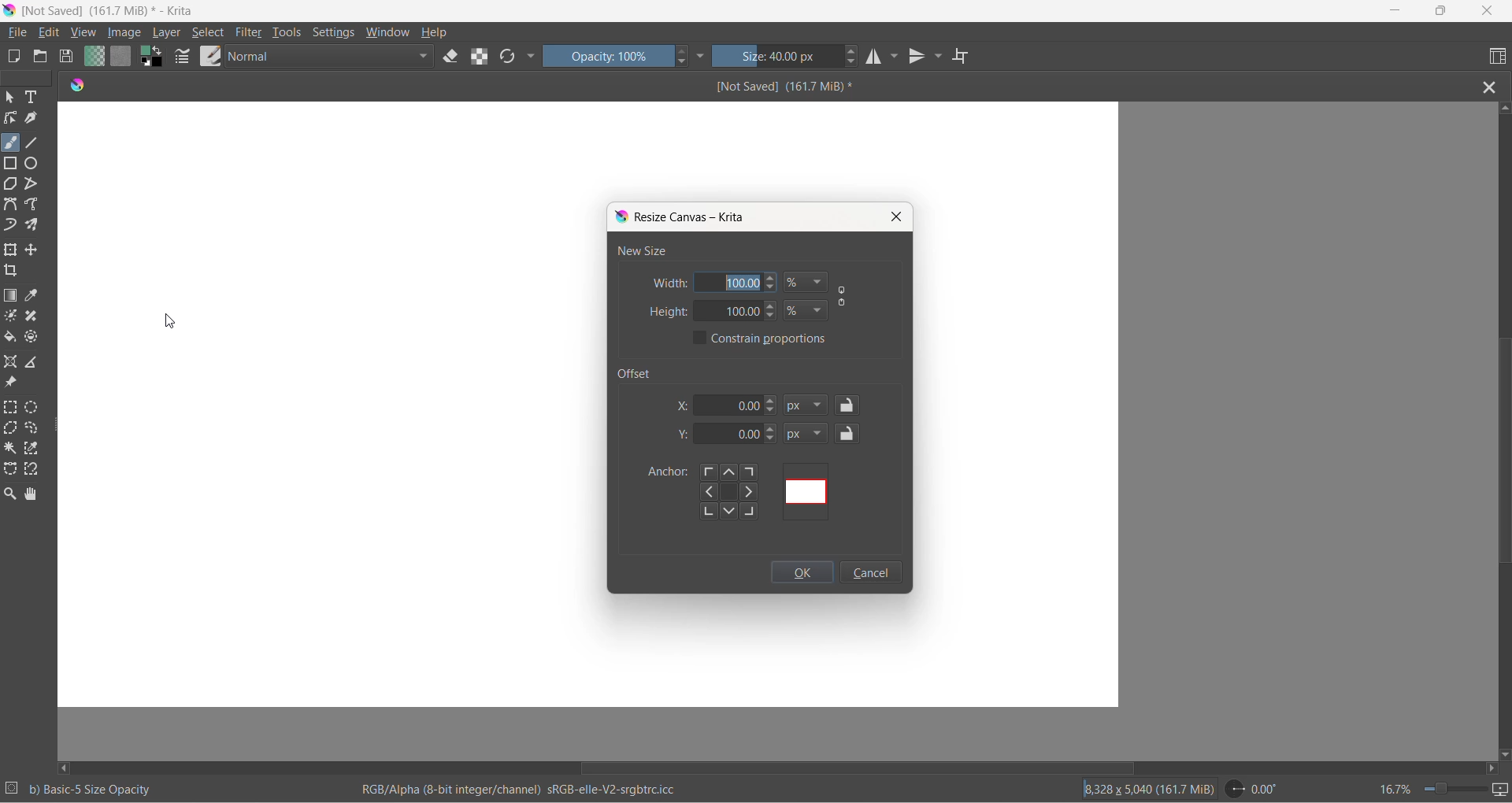 The width and height of the screenshot is (1512, 803). What do you see at coordinates (640, 372) in the screenshot?
I see `offset` at bounding box center [640, 372].